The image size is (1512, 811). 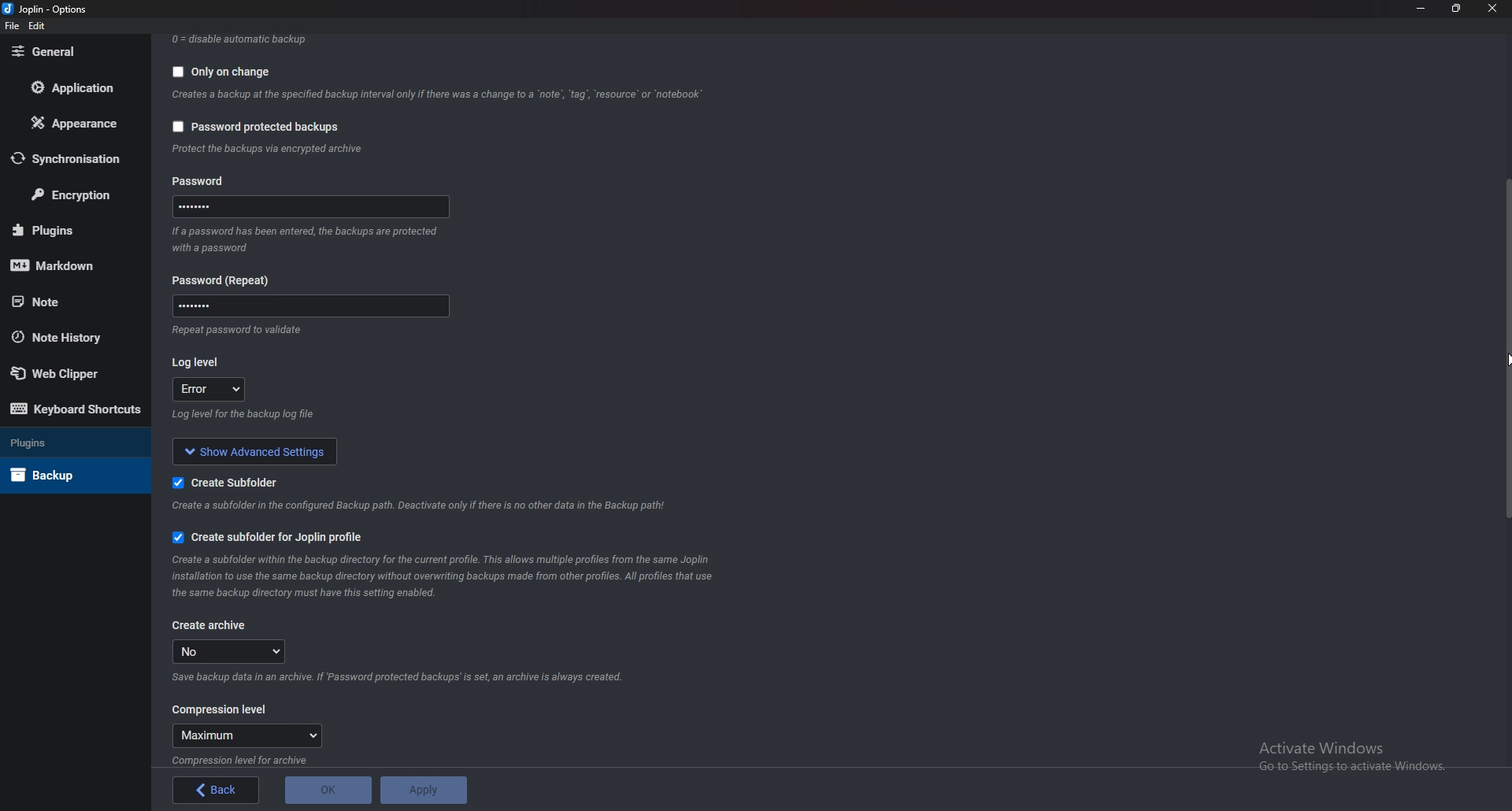 I want to click on close, so click(x=1491, y=9).